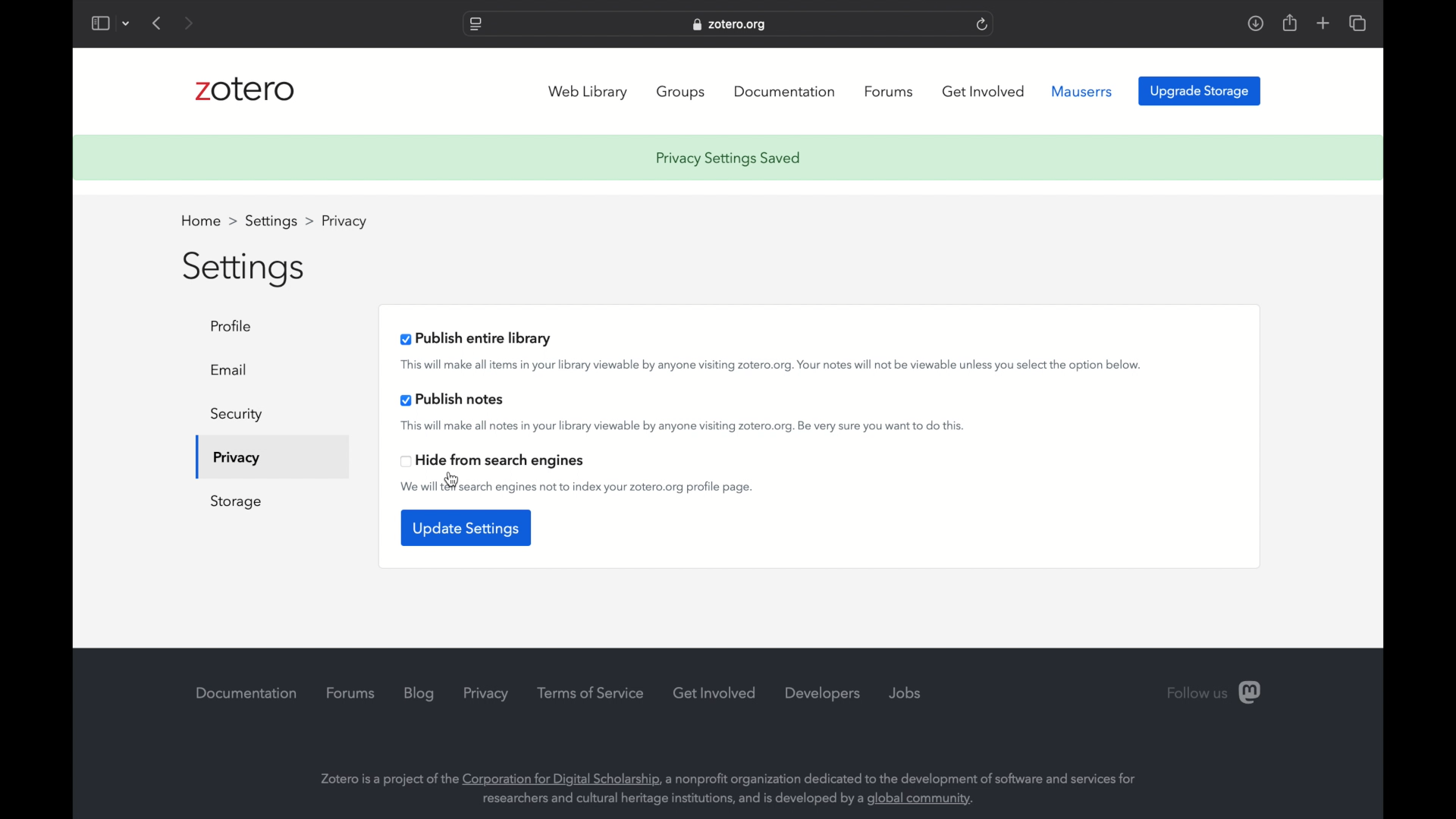 The height and width of the screenshot is (819, 1456). I want to click on previous, so click(158, 23).